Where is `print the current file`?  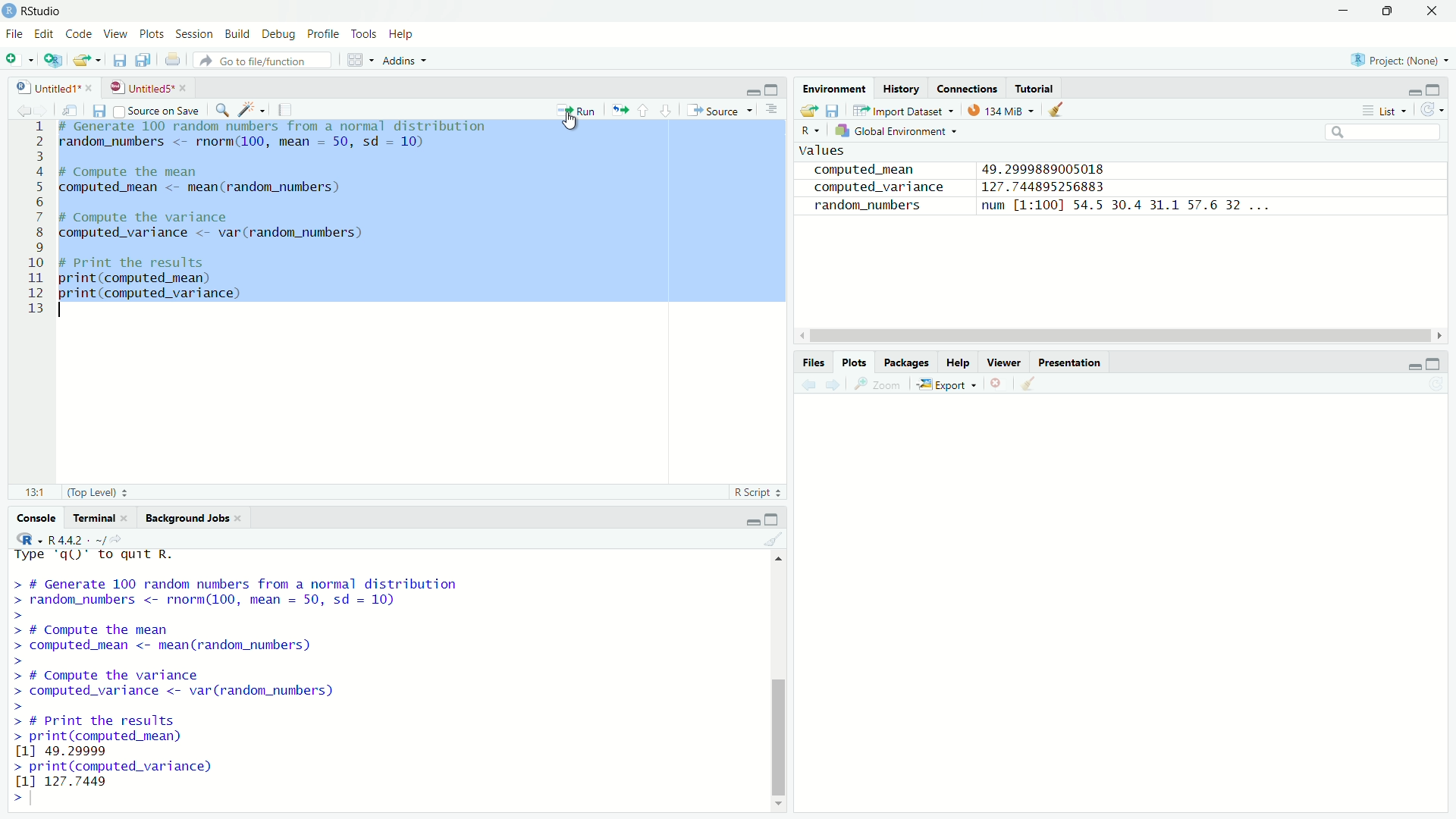 print the current file is located at coordinates (174, 61).